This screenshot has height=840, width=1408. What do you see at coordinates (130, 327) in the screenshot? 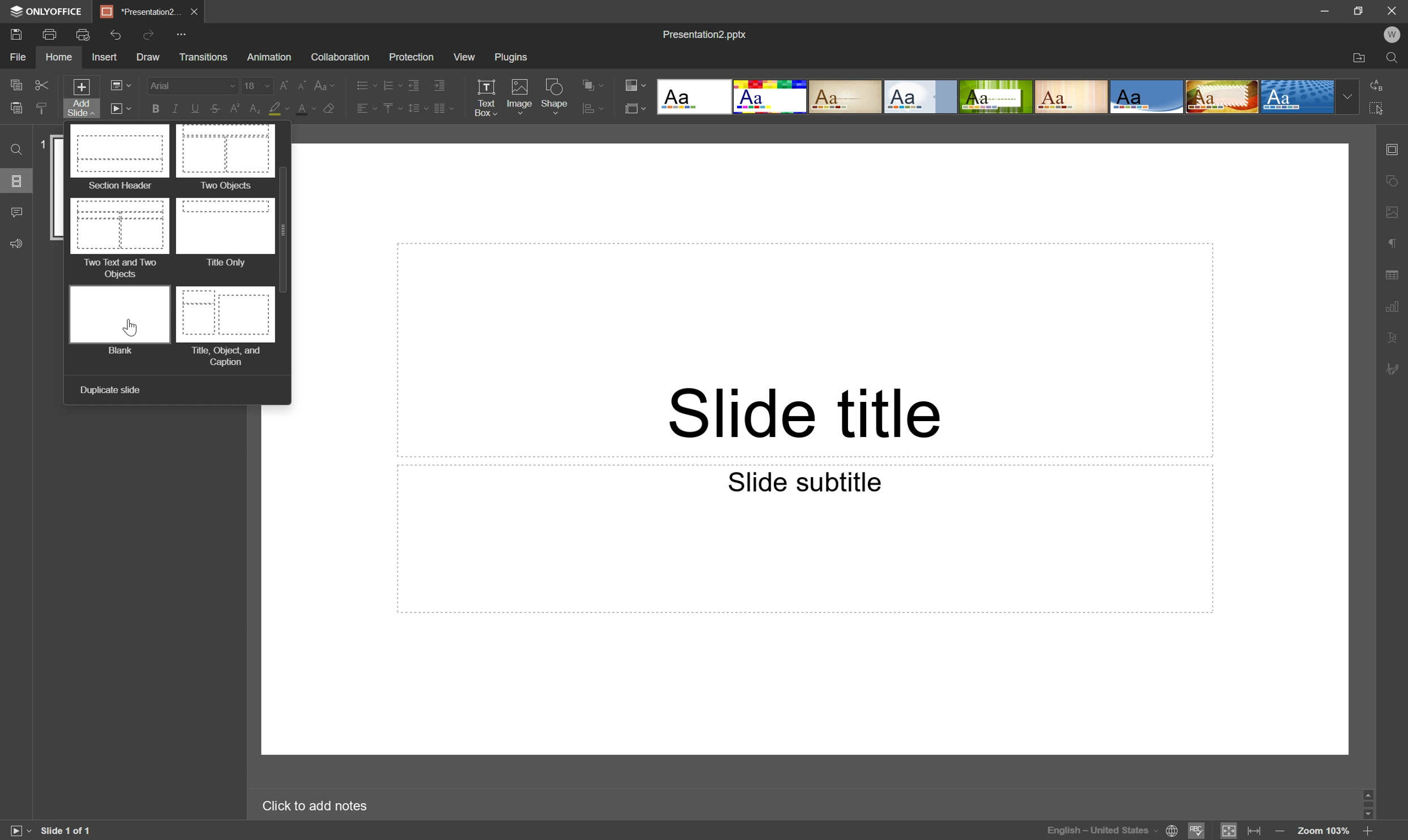
I see `Cursor` at bounding box center [130, 327].